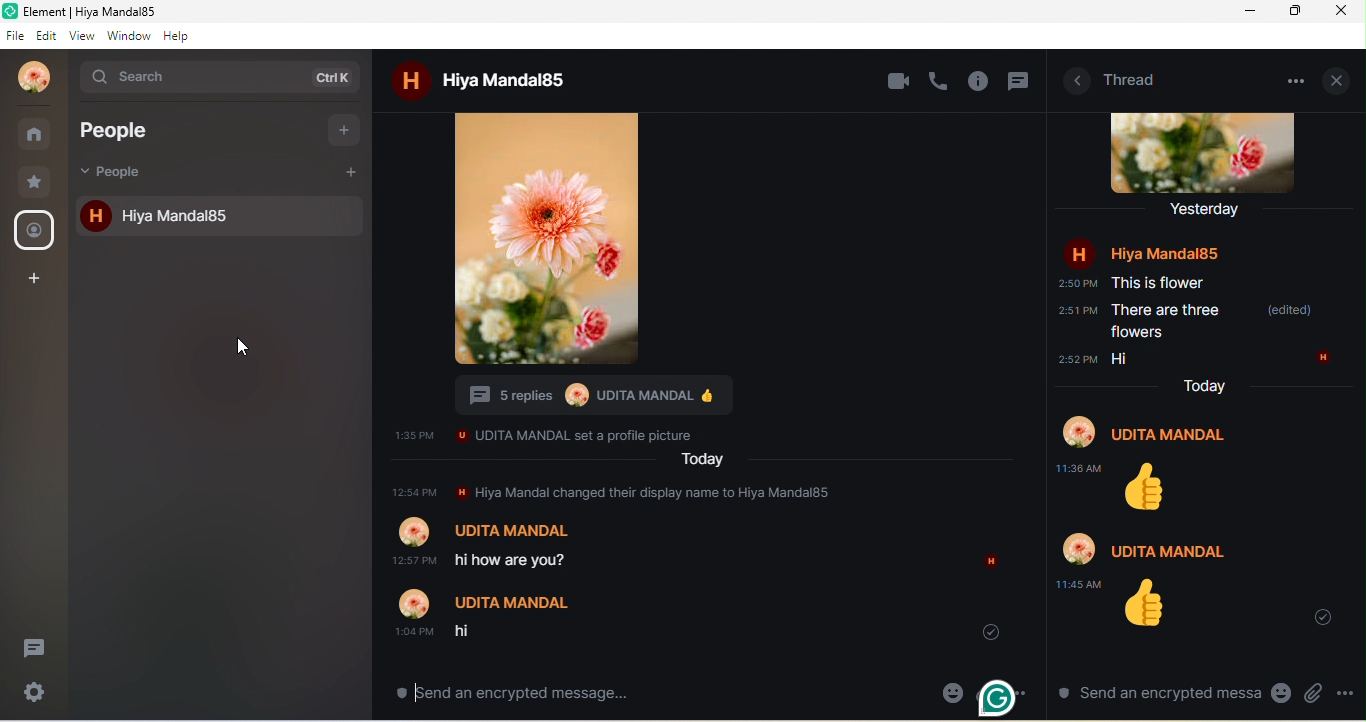 The width and height of the screenshot is (1366, 722). What do you see at coordinates (1245, 13) in the screenshot?
I see `minimize` at bounding box center [1245, 13].